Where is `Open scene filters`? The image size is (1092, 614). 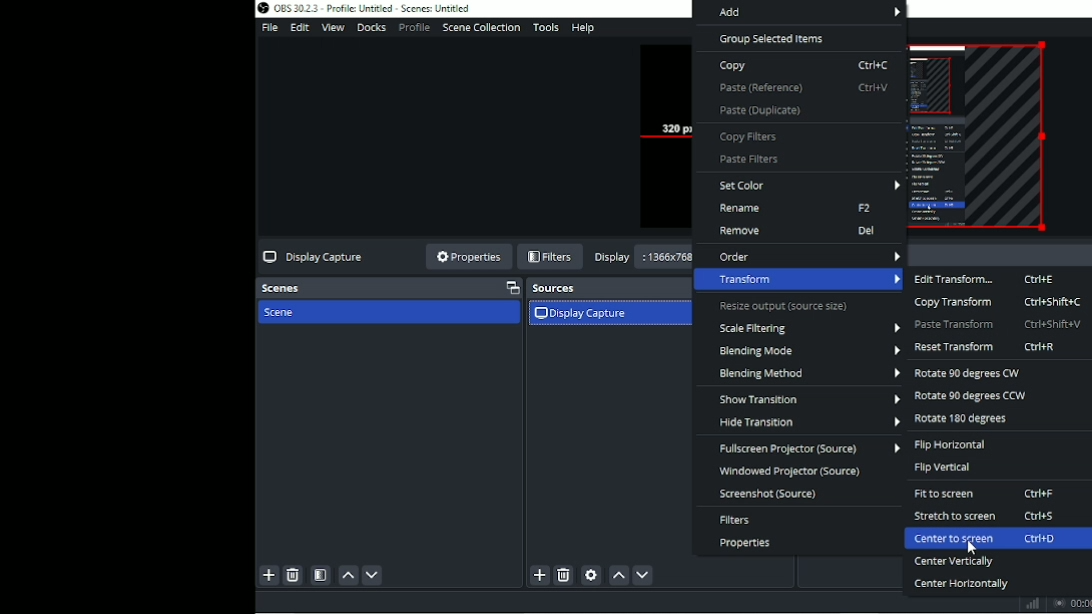 Open scene filters is located at coordinates (320, 575).